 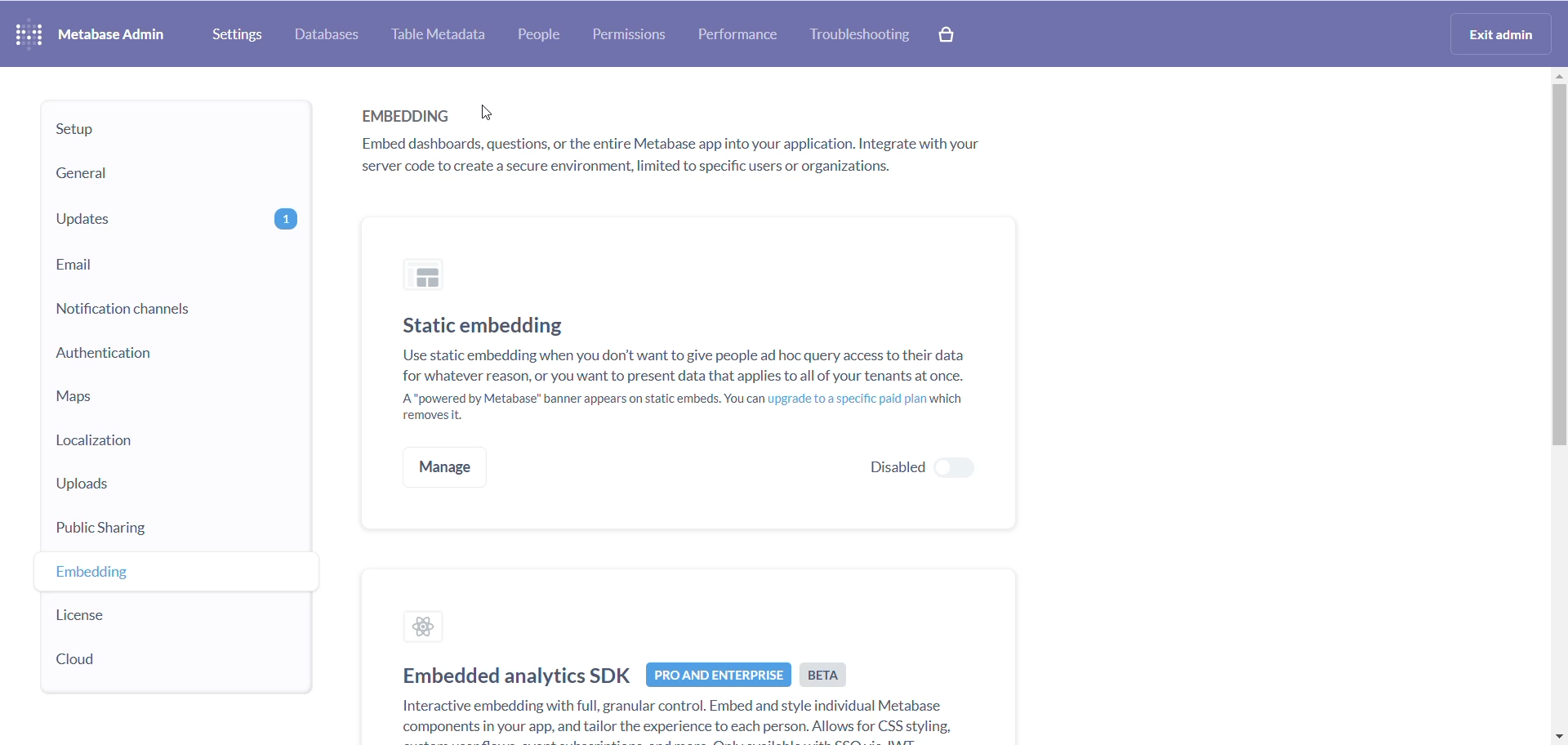 What do you see at coordinates (429, 278) in the screenshot?
I see `icon` at bounding box center [429, 278].